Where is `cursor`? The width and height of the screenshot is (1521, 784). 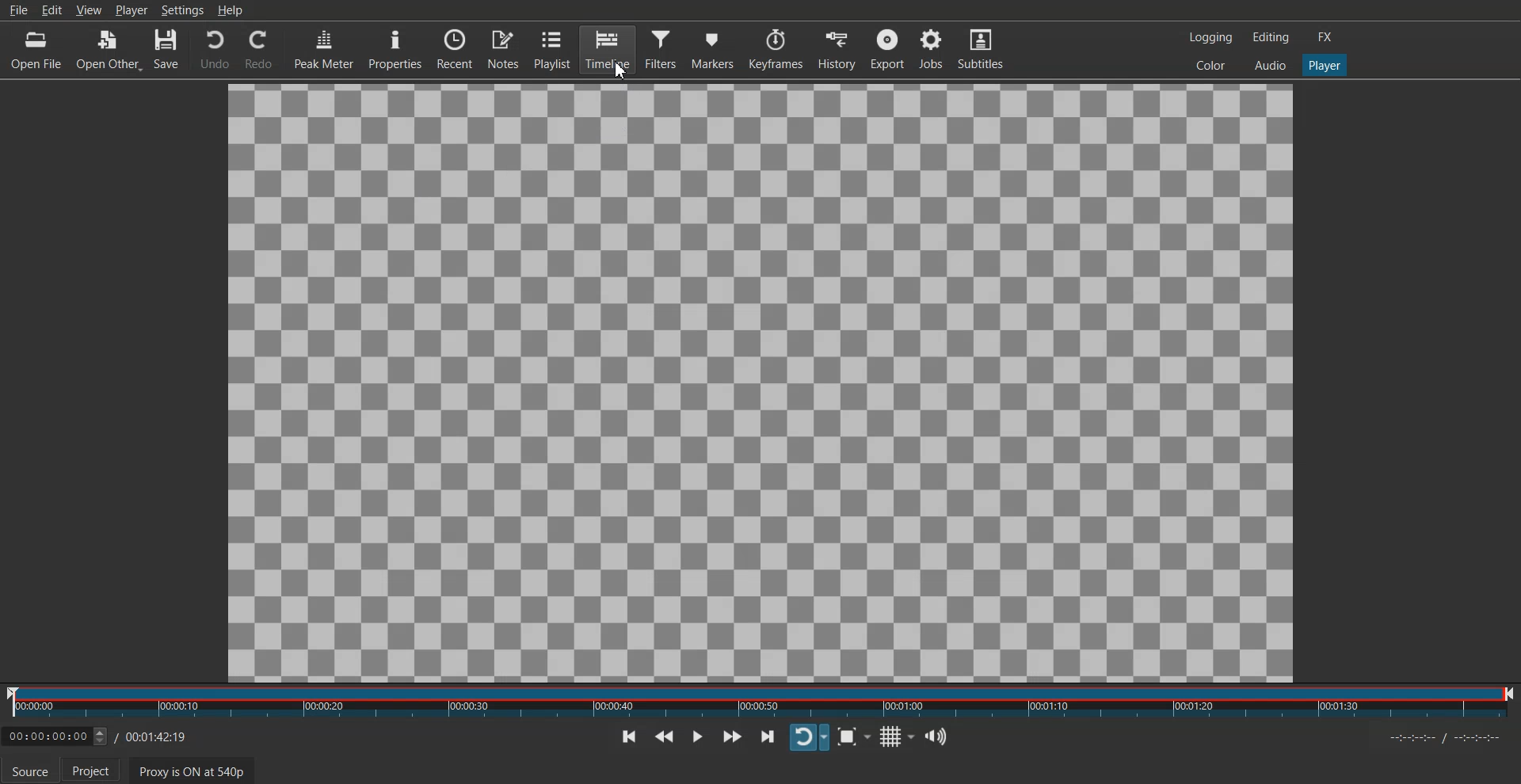
cursor is located at coordinates (616, 74).